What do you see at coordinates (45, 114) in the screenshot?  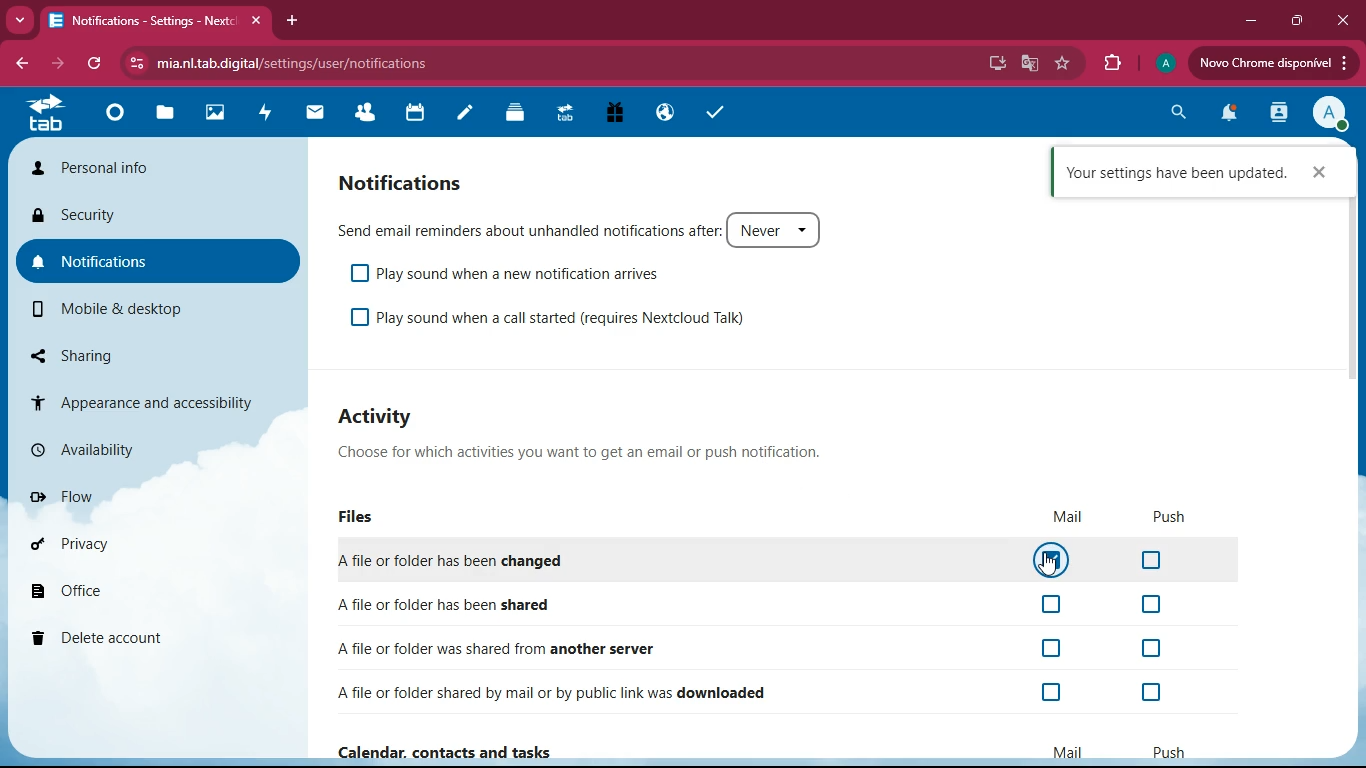 I see `tab` at bounding box center [45, 114].